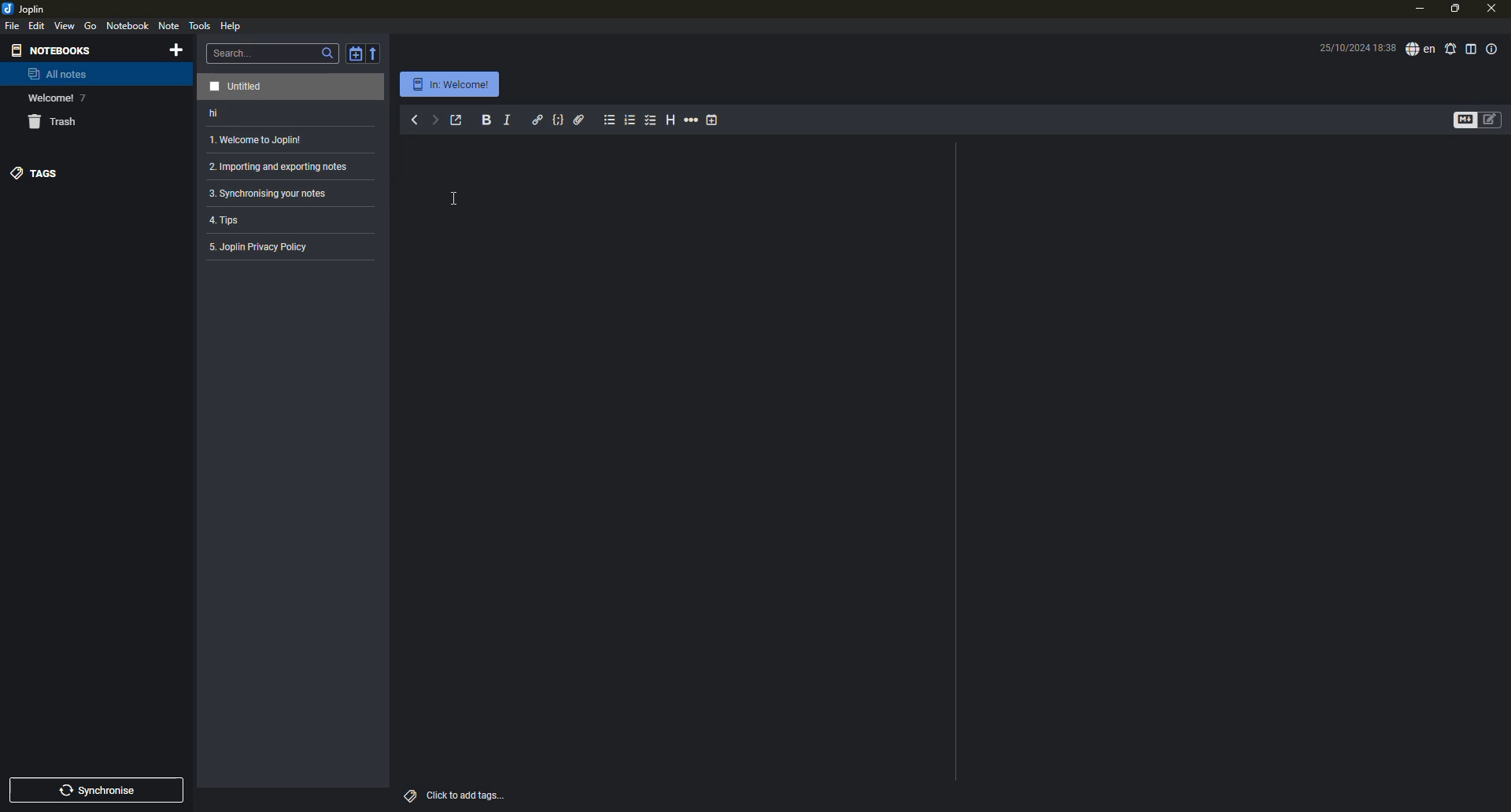 This screenshot has width=1511, height=812. What do you see at coordinates (1420, 50) in the screenshot?
I see `spell checker` at bounding box center [1420, 50].